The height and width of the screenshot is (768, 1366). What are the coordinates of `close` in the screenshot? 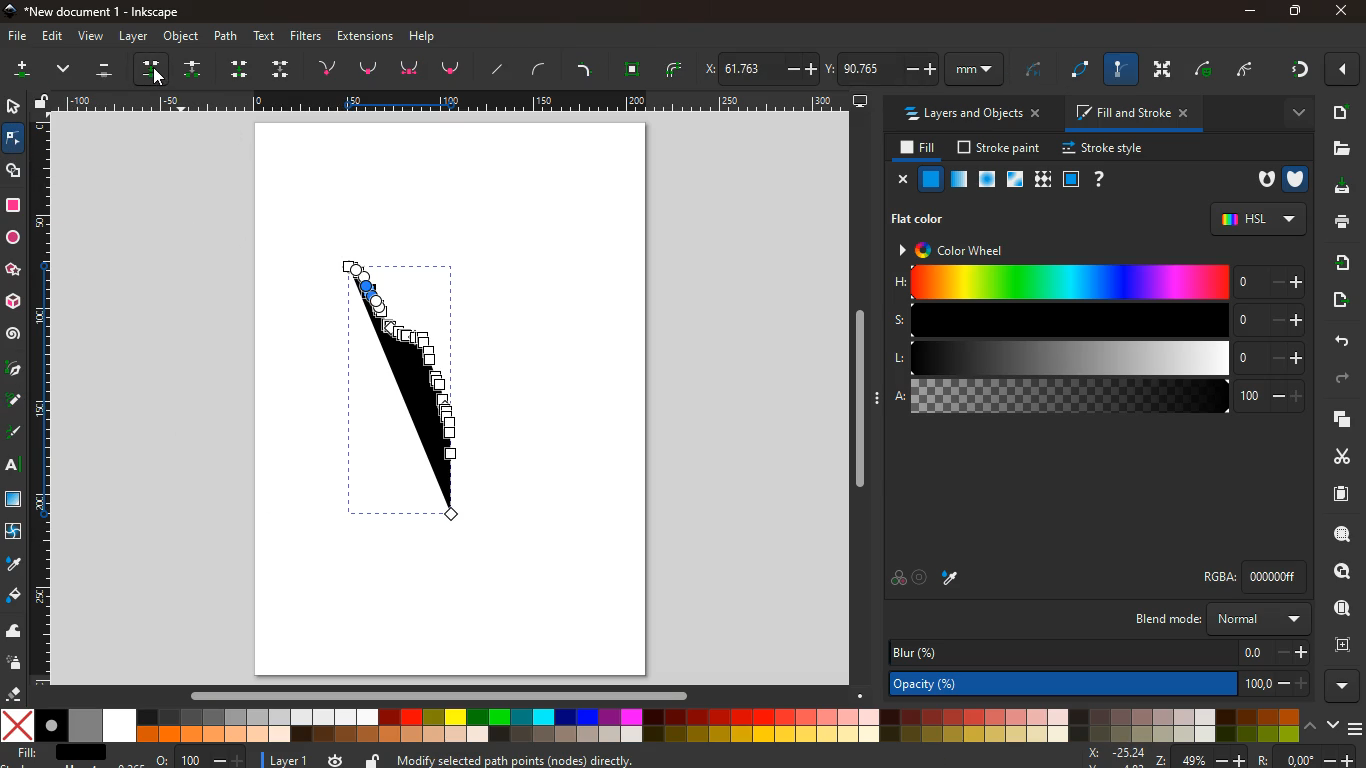 It's located at (900, 179).